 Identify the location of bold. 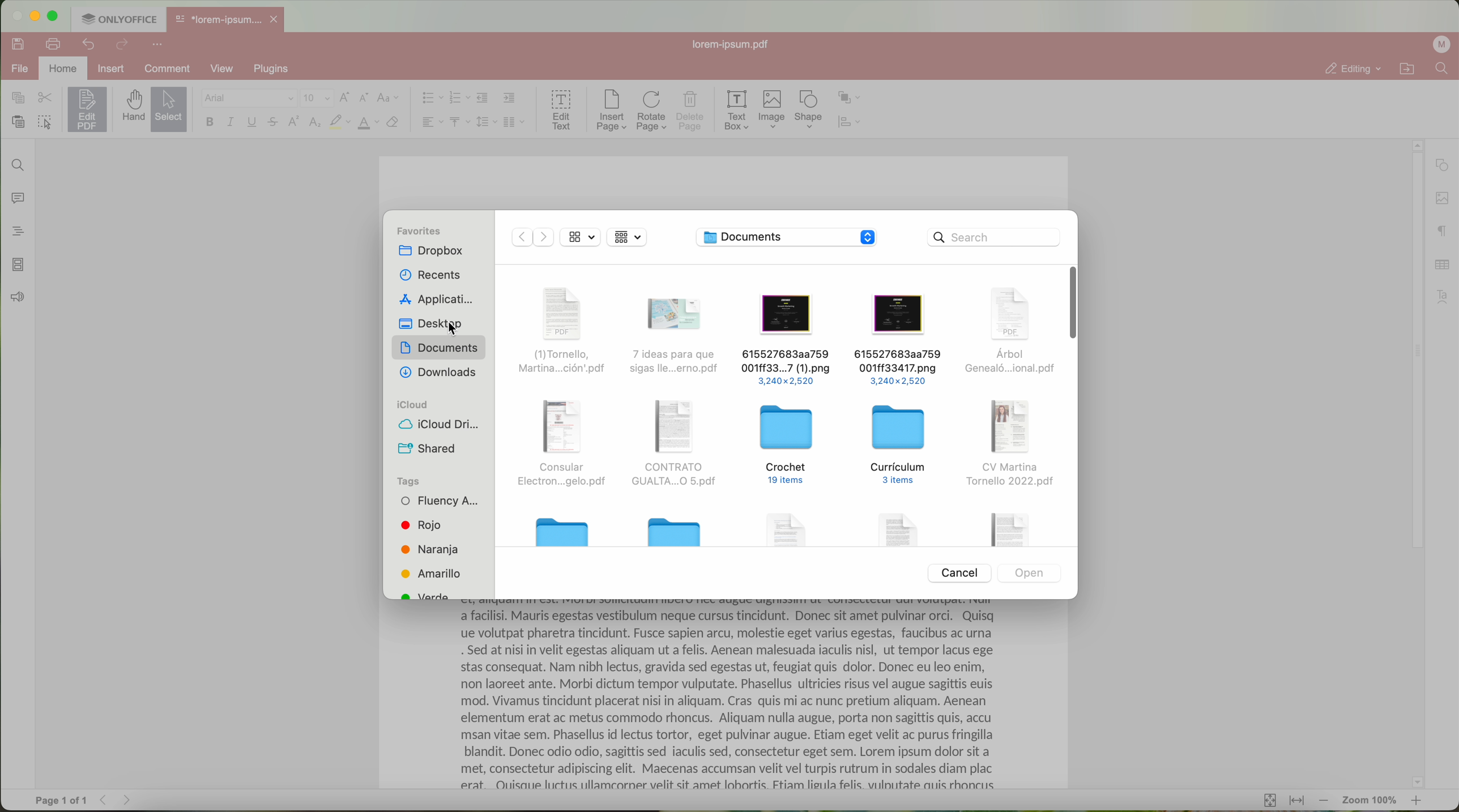
(210, 122).